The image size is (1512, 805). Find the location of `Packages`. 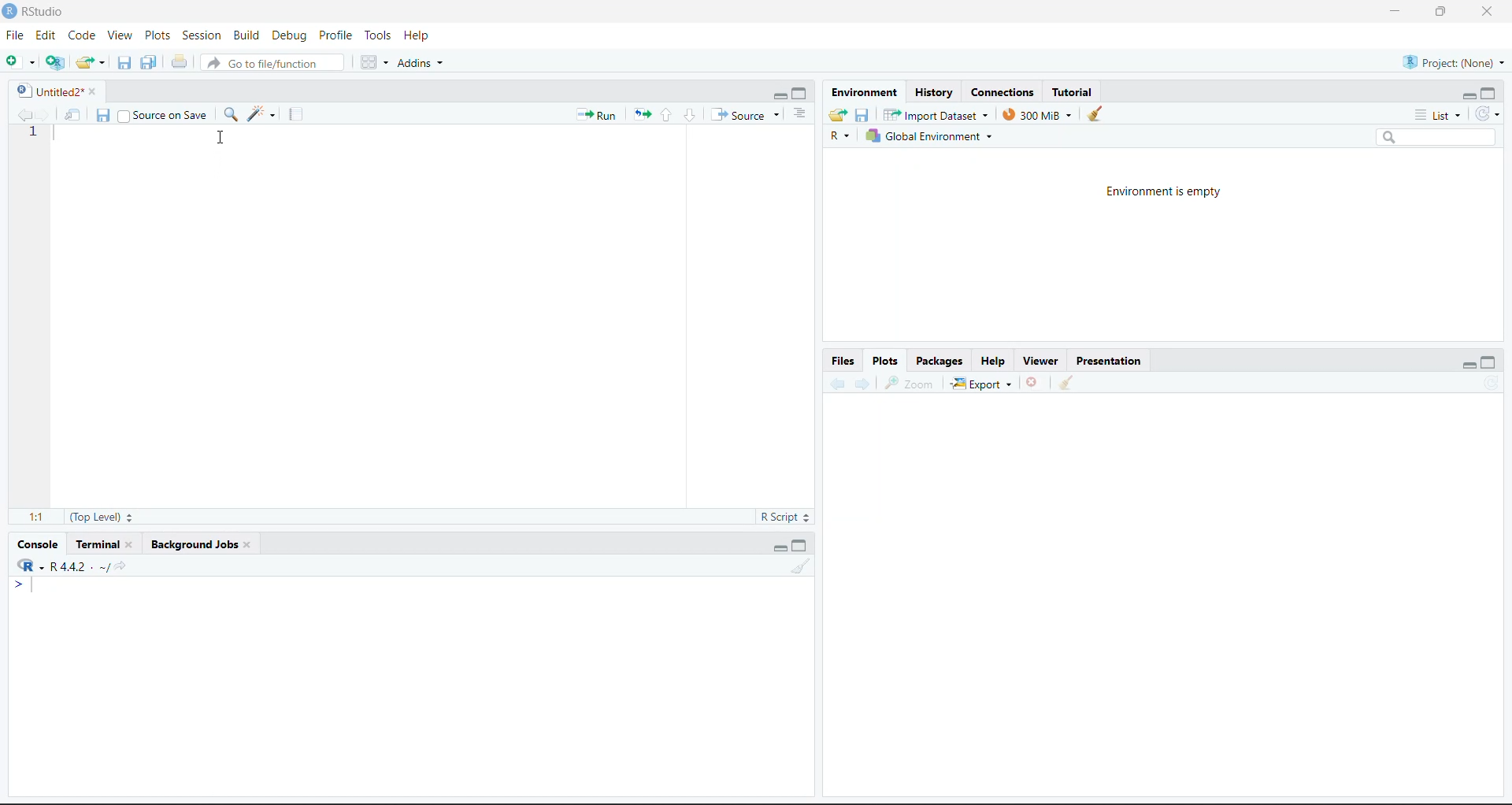

Packages is located at coordinates (939, 361).